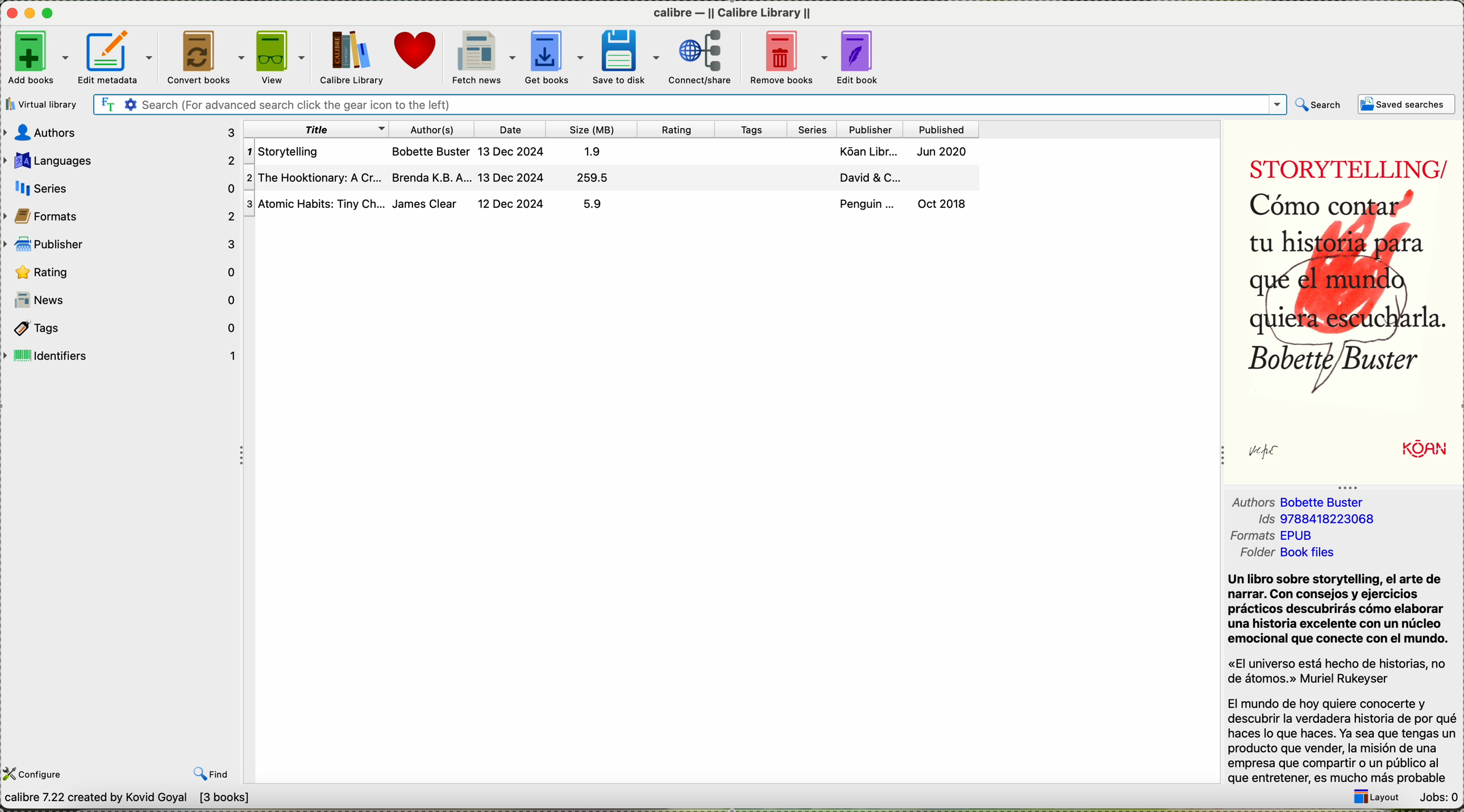  I want to click on Collapse, so click(1347, 486).